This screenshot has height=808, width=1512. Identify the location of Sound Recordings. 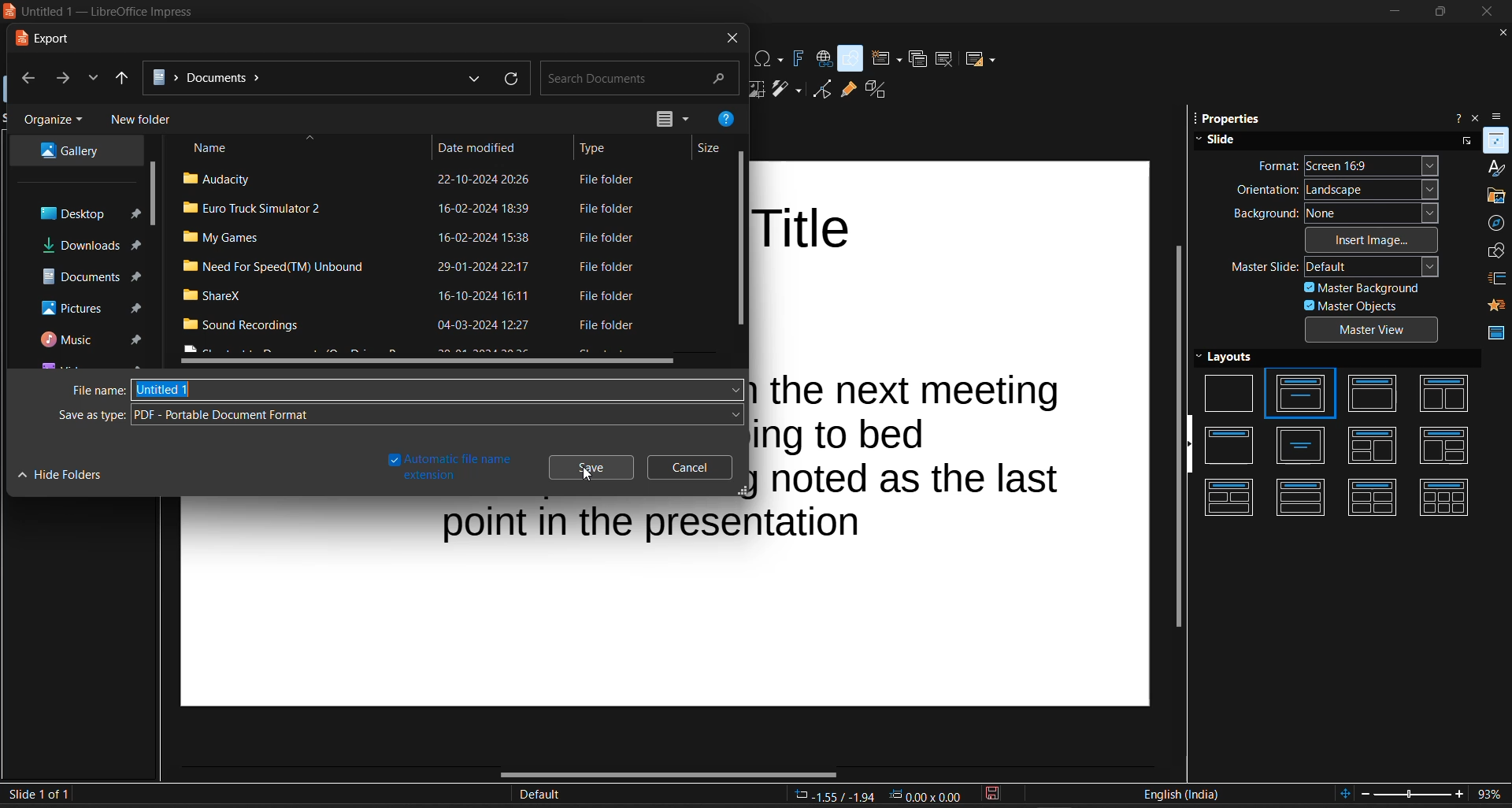
(253, 328).